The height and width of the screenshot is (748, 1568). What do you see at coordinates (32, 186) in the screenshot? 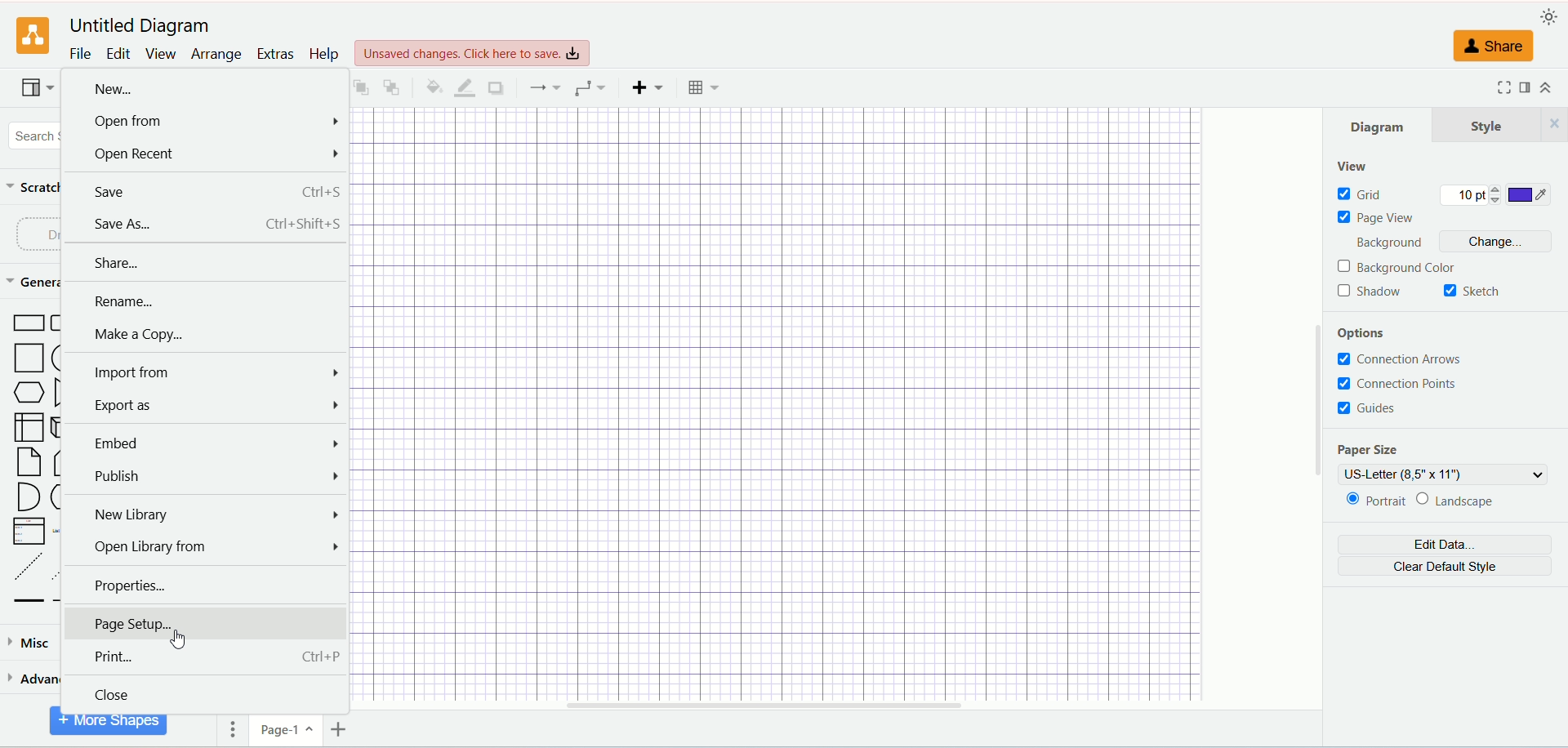
I see `scratch pad` at bounding box center [32, 186].